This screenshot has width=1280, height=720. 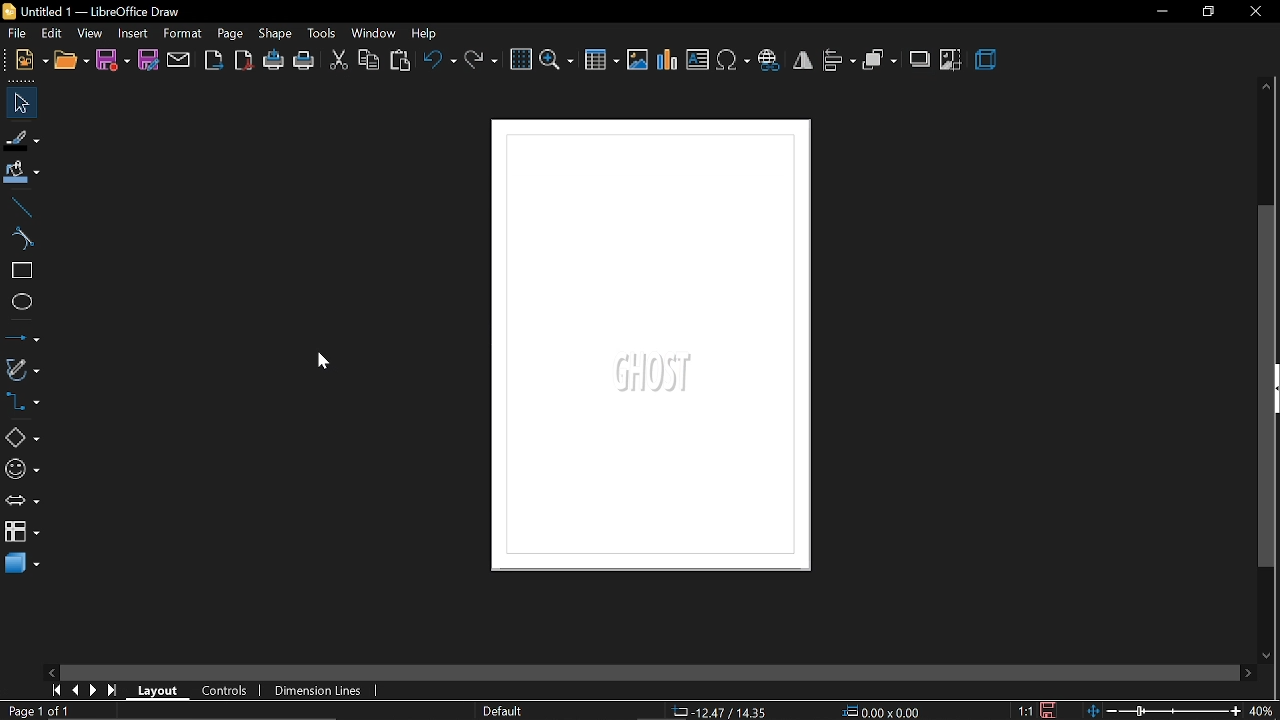 I want to click on line, so click(x=18, y=206).